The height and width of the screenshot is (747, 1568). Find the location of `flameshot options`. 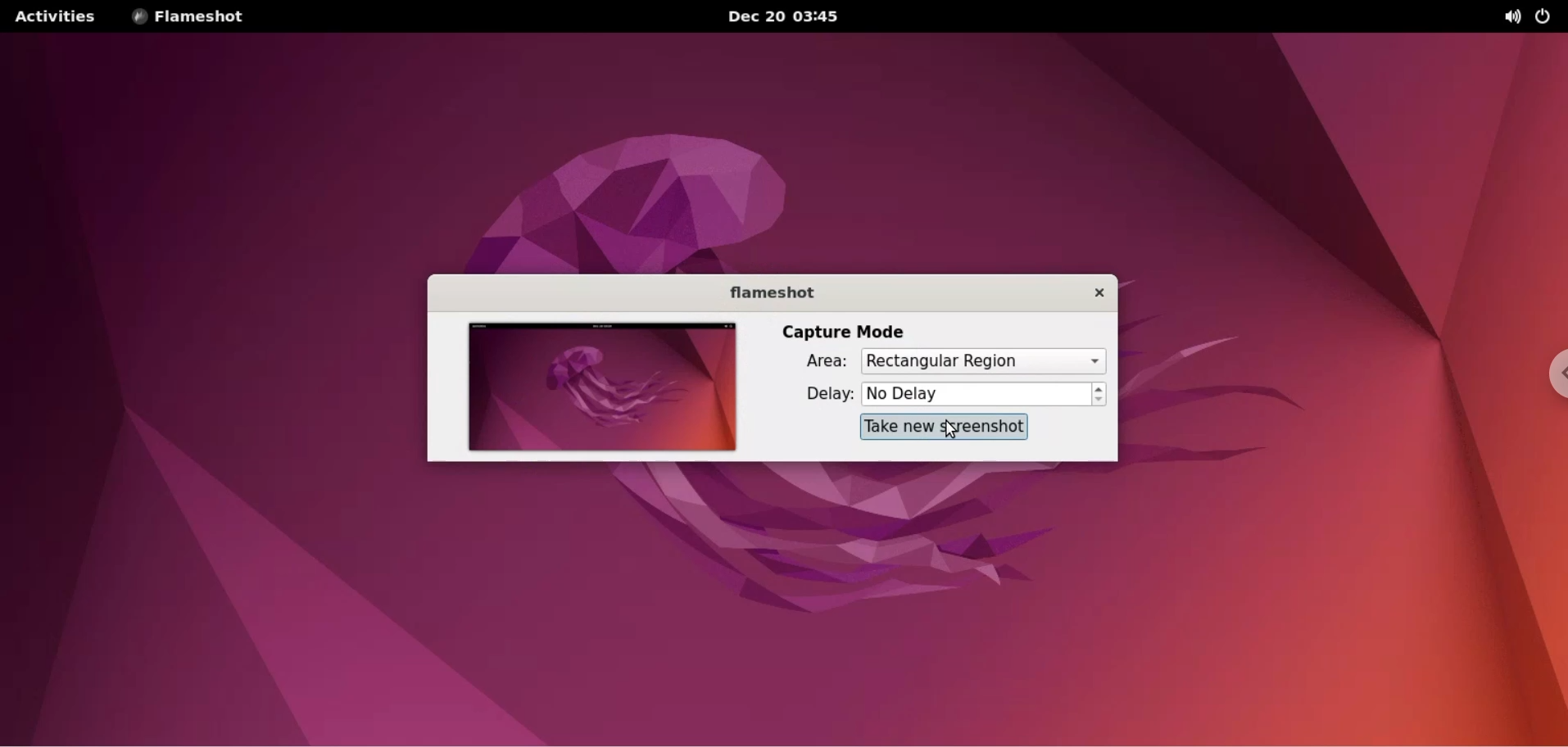

flameshot options is located at coordinates (190, 17).